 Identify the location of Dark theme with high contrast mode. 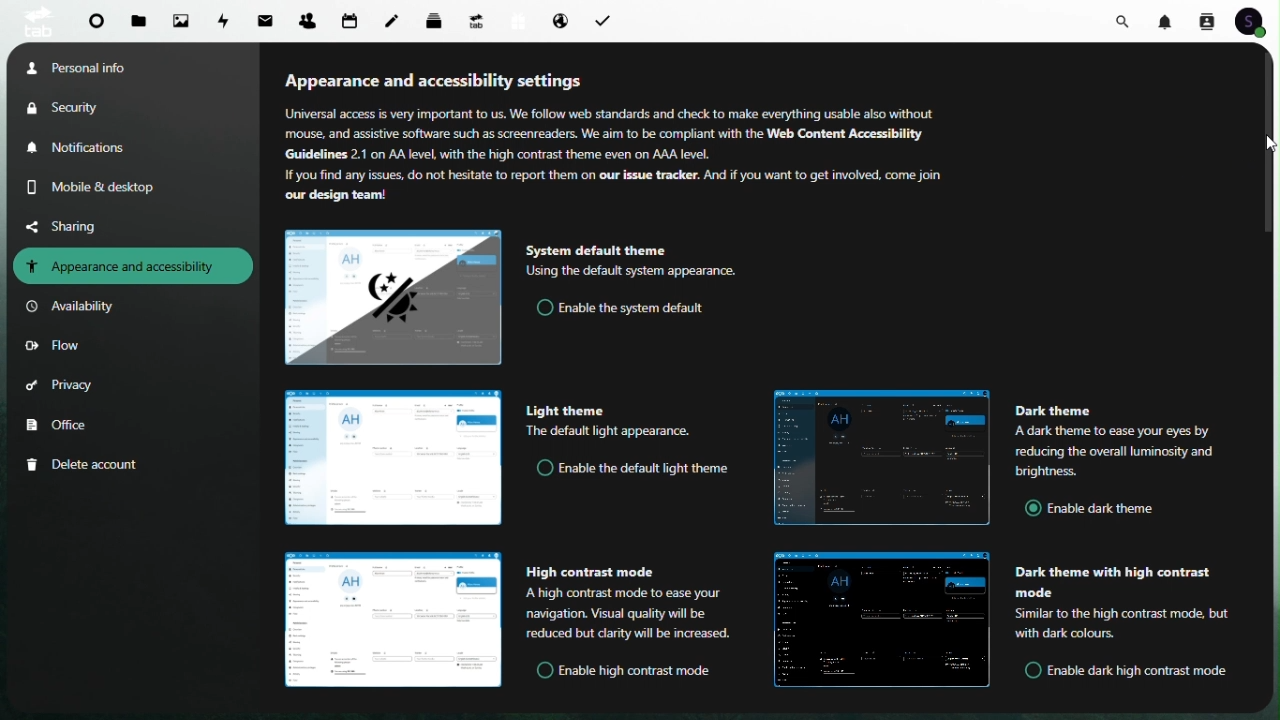
(883, 620).